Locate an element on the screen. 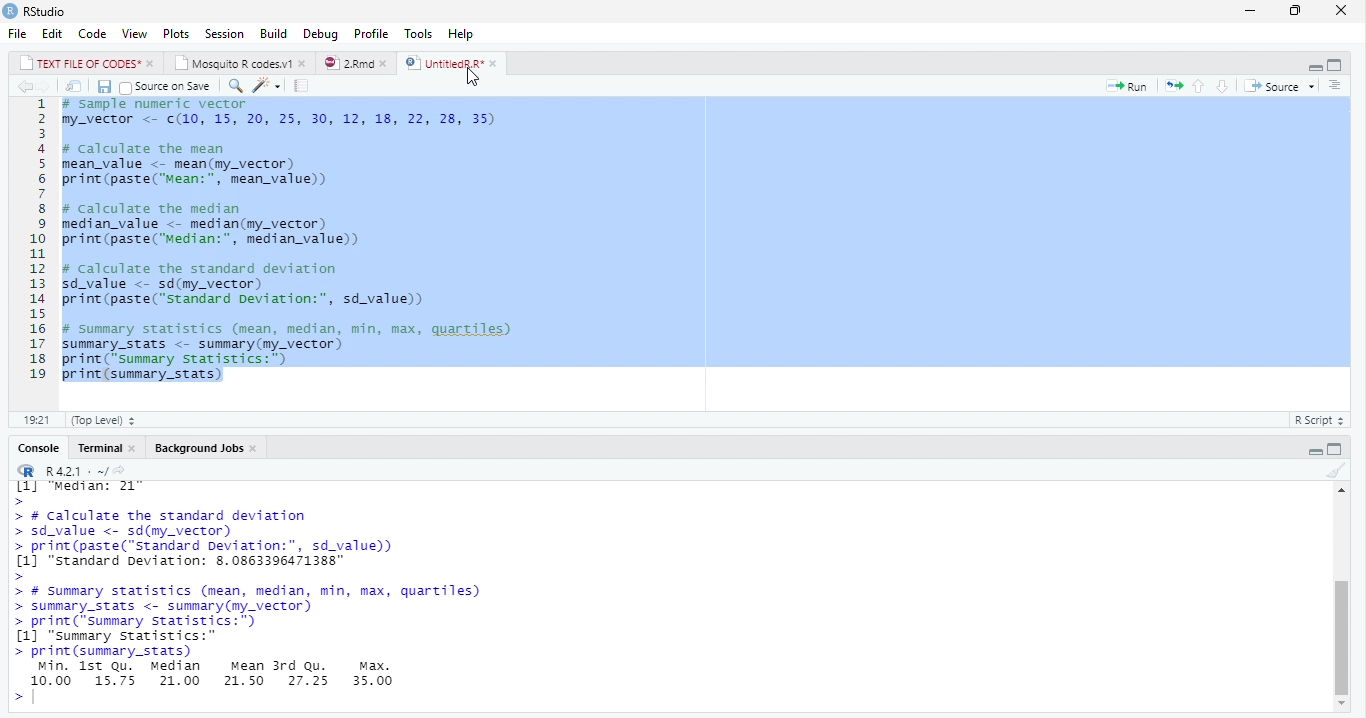  back is located at coordinates (24, 87).